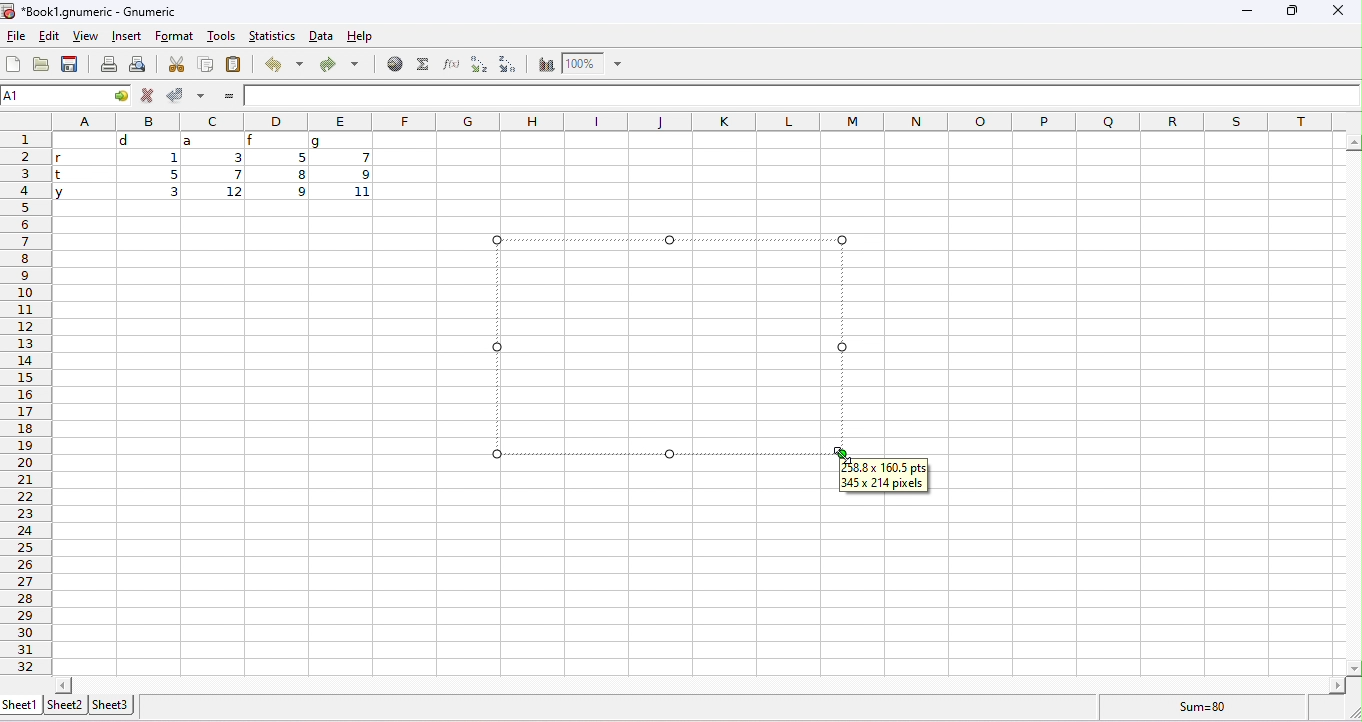  I want to click on formula, so click(1198, 707).